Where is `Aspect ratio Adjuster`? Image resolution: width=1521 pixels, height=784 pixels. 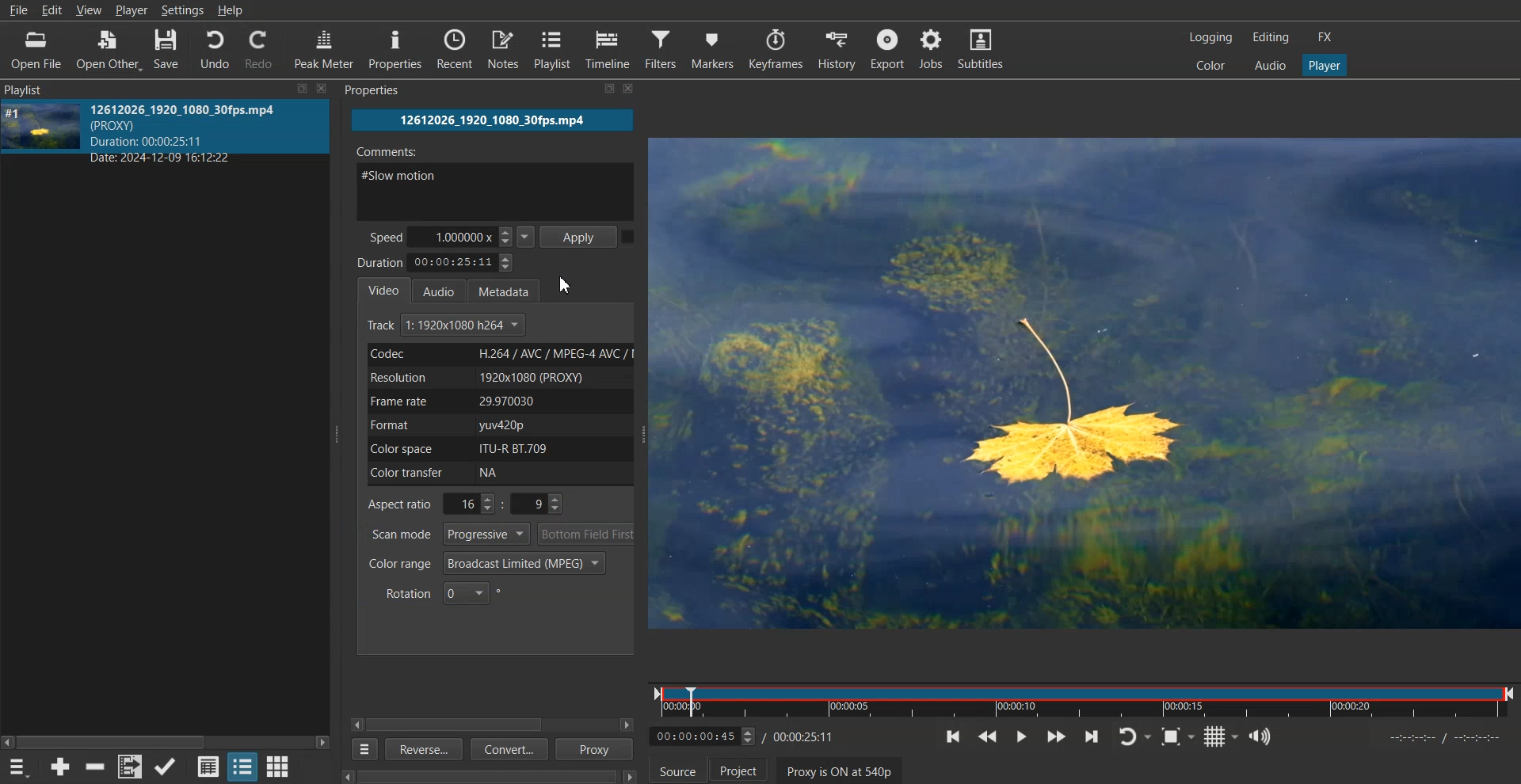
Aspect ratio Adjuster is located at coordinates (467, 504).